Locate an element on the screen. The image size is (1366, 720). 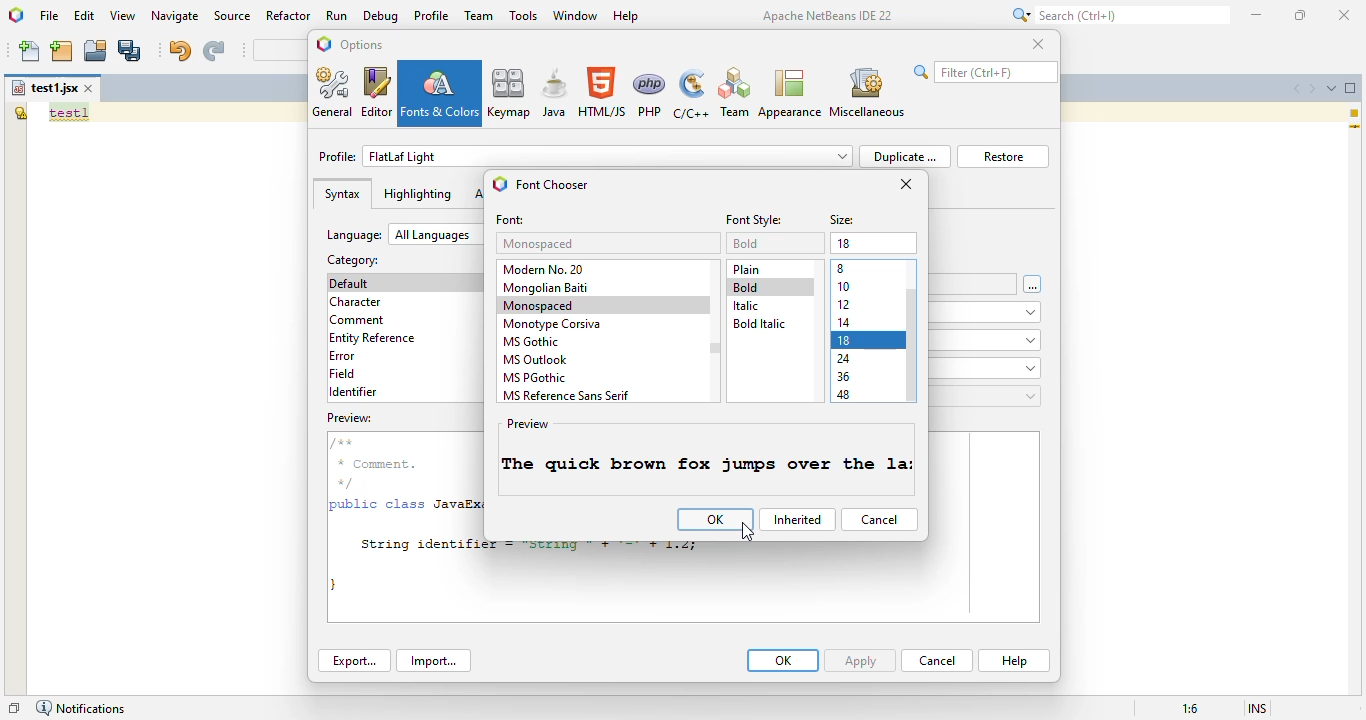
search is located at coordinates (986, 72).